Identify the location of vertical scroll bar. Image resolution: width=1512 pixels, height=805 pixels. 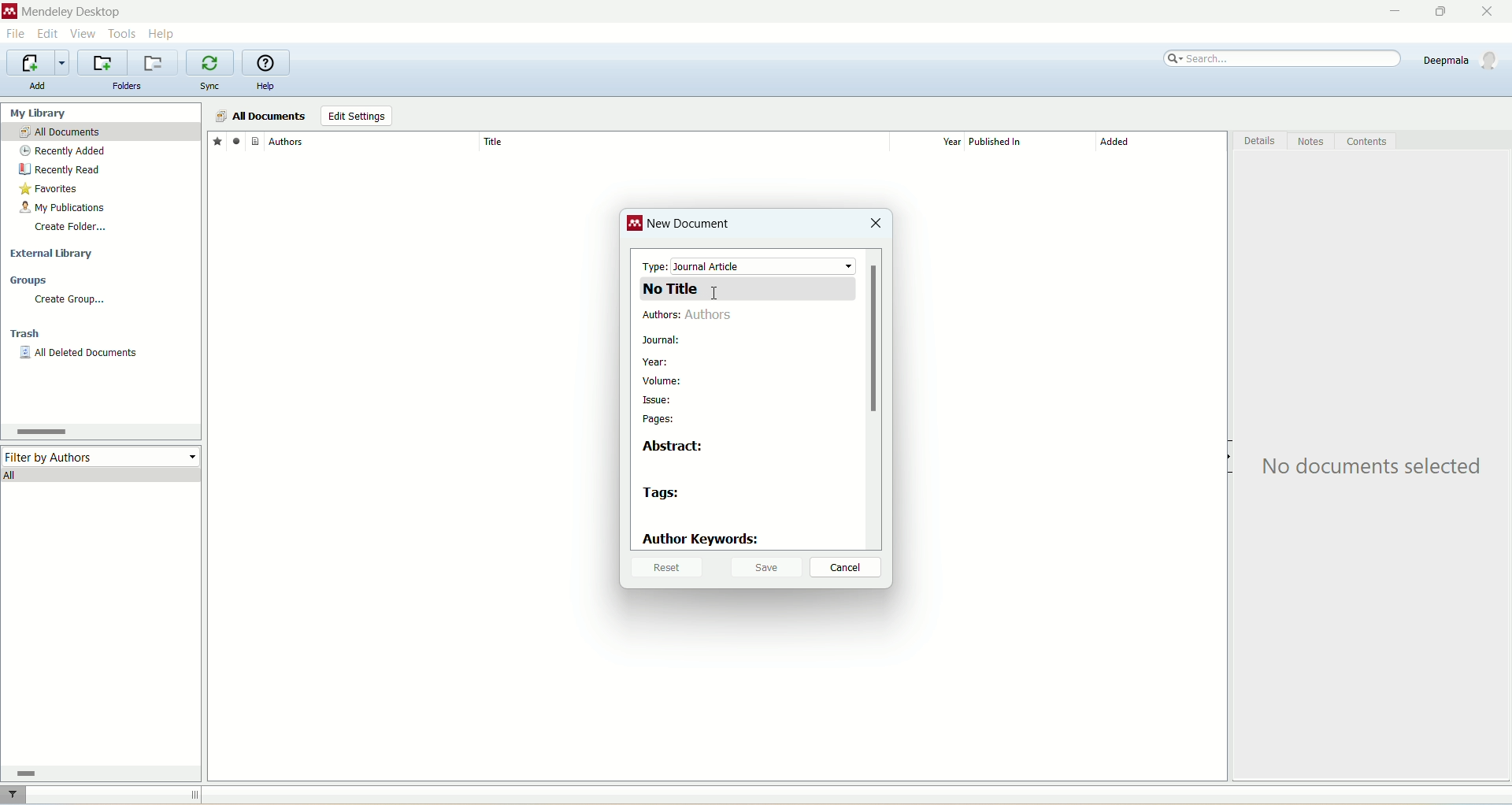
(873, 398).